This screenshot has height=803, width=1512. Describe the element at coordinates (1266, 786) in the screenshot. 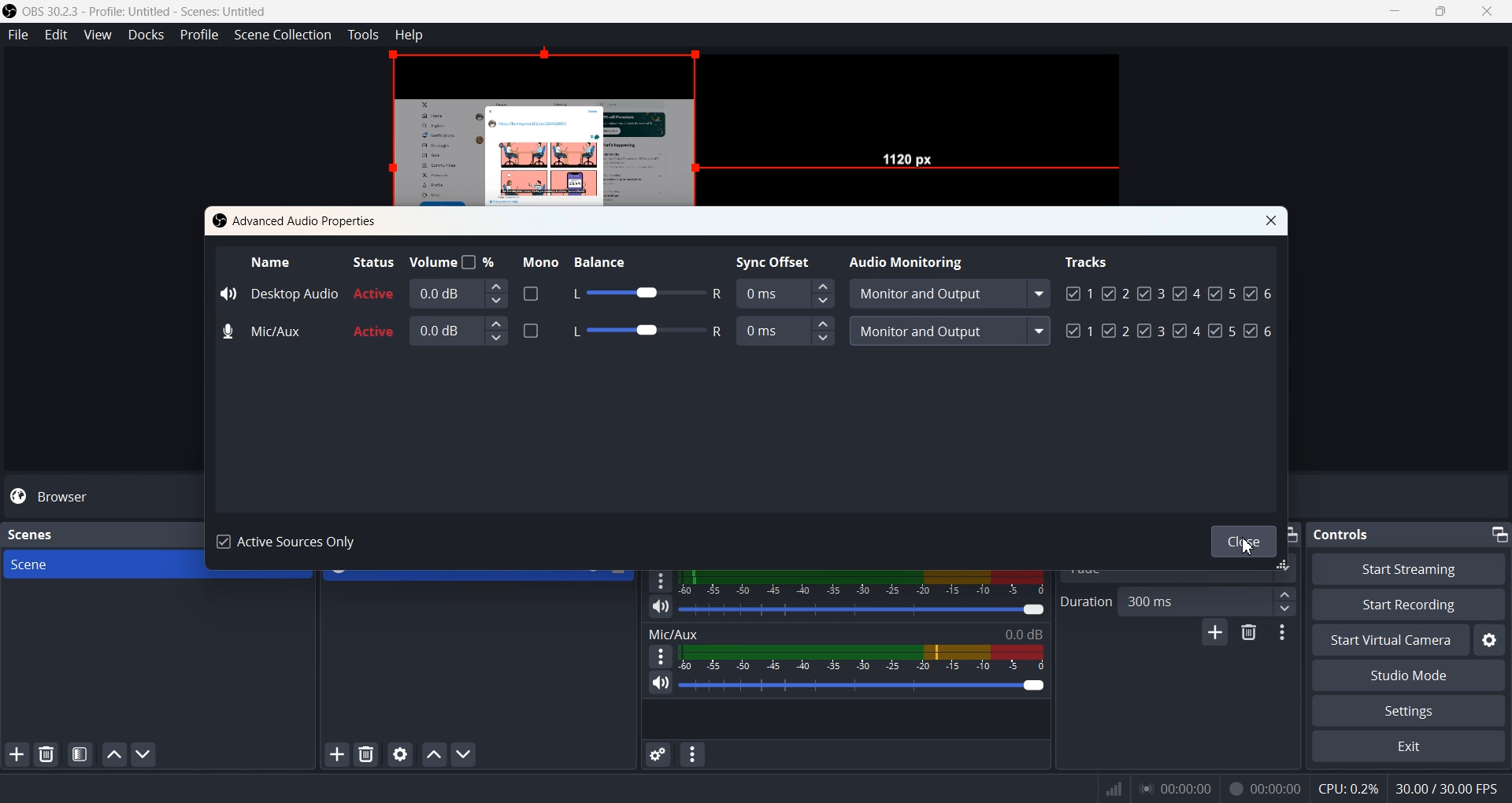

I see `00:00:00` at that location.